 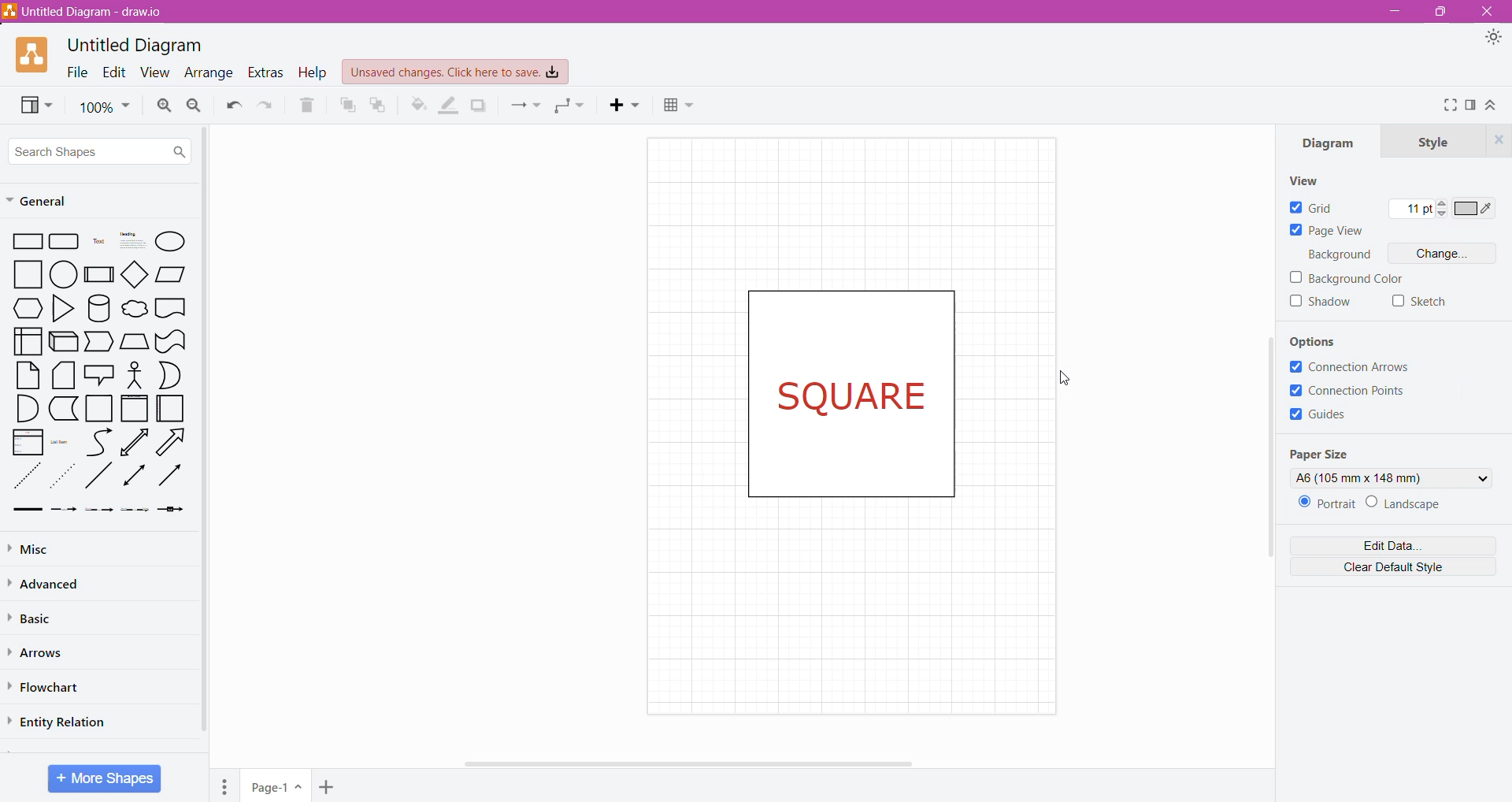 I want to click on Change, so click(x=1447, y=252).